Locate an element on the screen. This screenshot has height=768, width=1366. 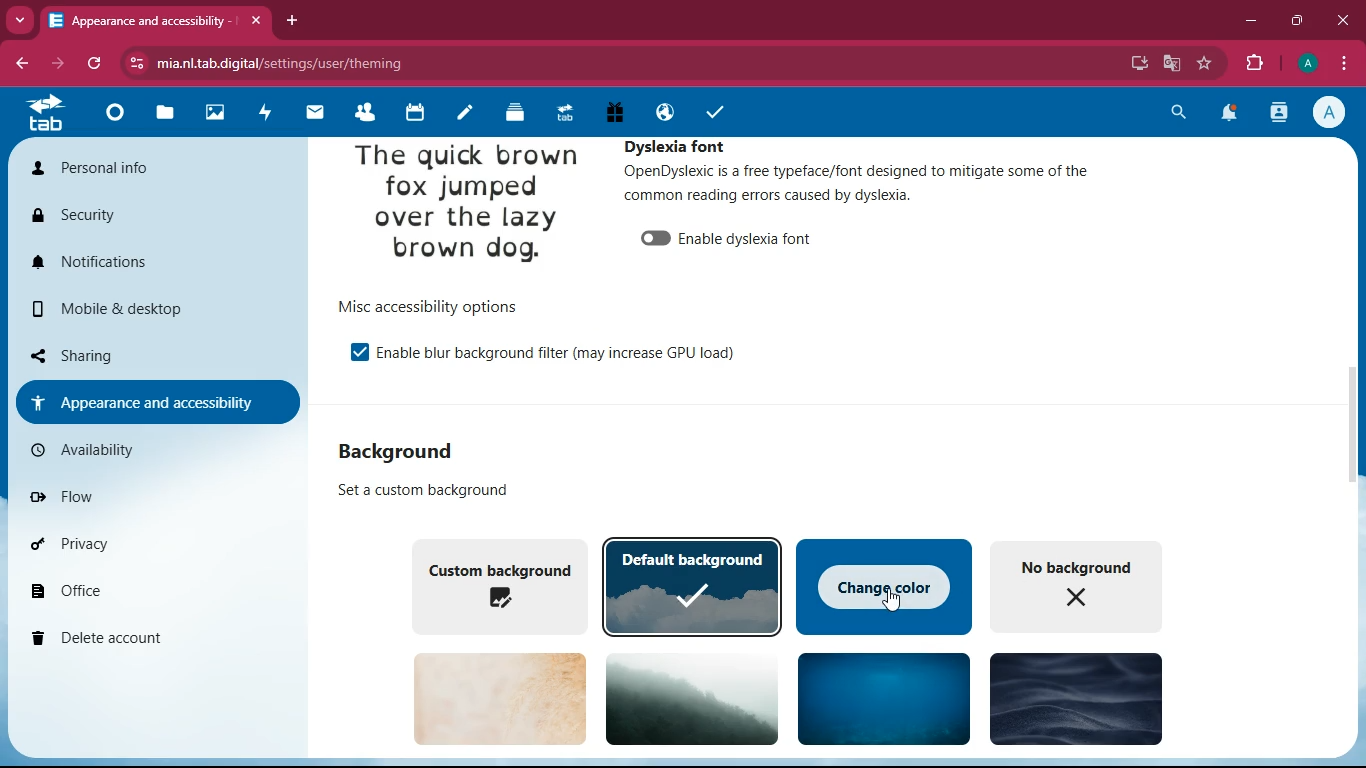
enable dyslexia font is located at coordinates (750, 239).